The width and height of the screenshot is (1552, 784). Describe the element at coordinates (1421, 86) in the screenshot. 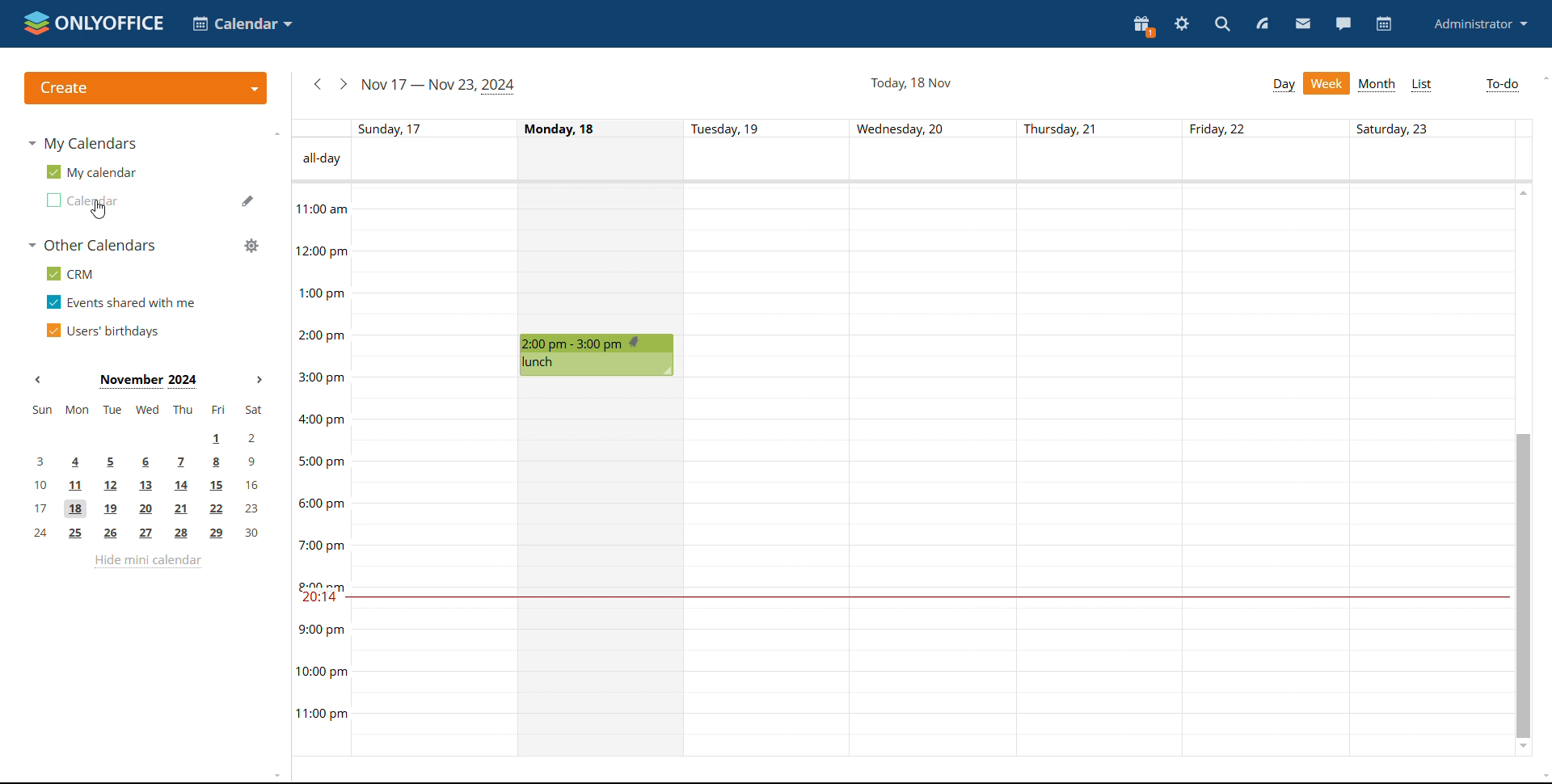

I see `list view` at that location.